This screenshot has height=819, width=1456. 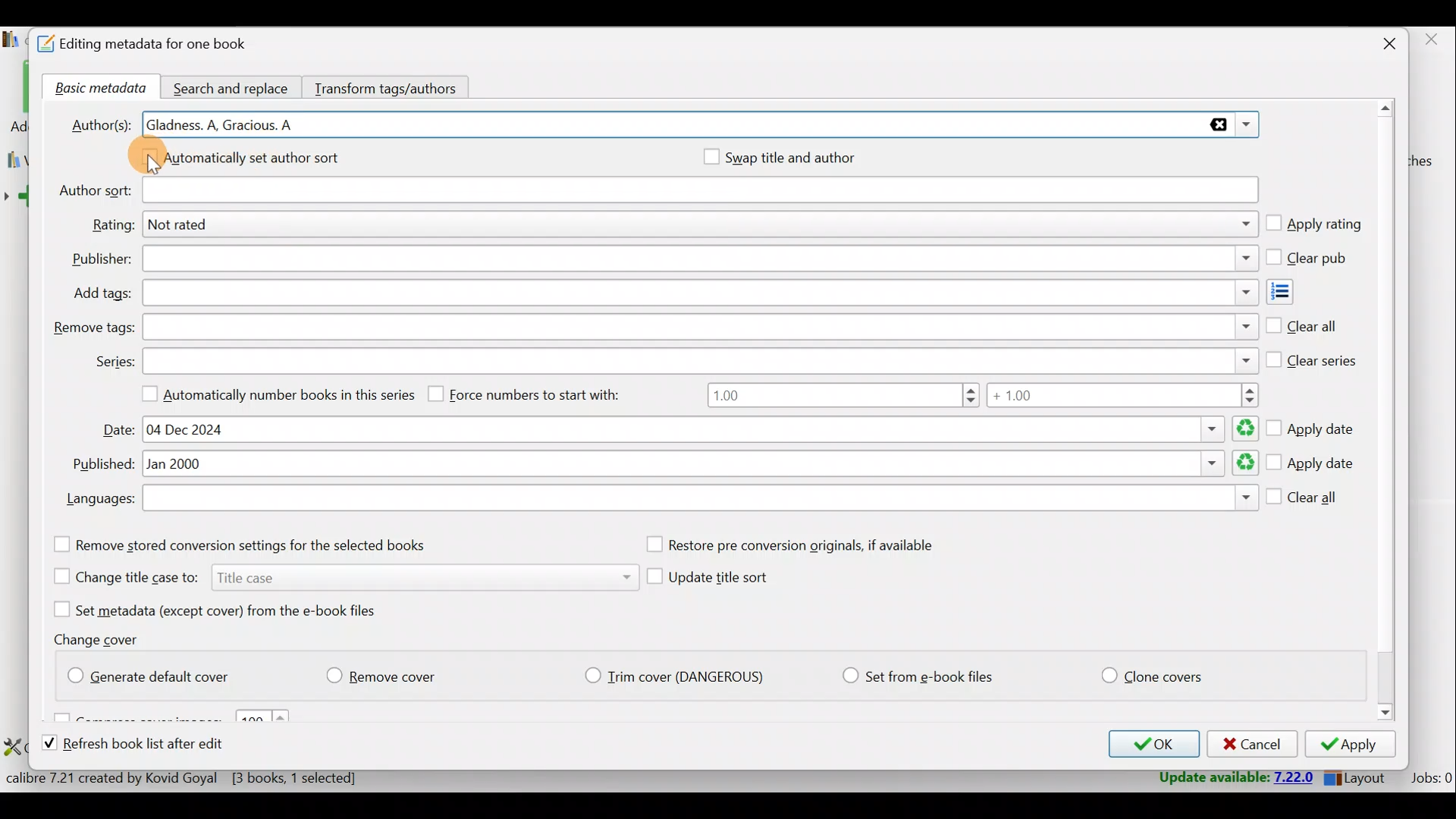 What do you see at coordinates (119, 430) in the screenshot?
I see `Date:` at bounding box center [119, 430].